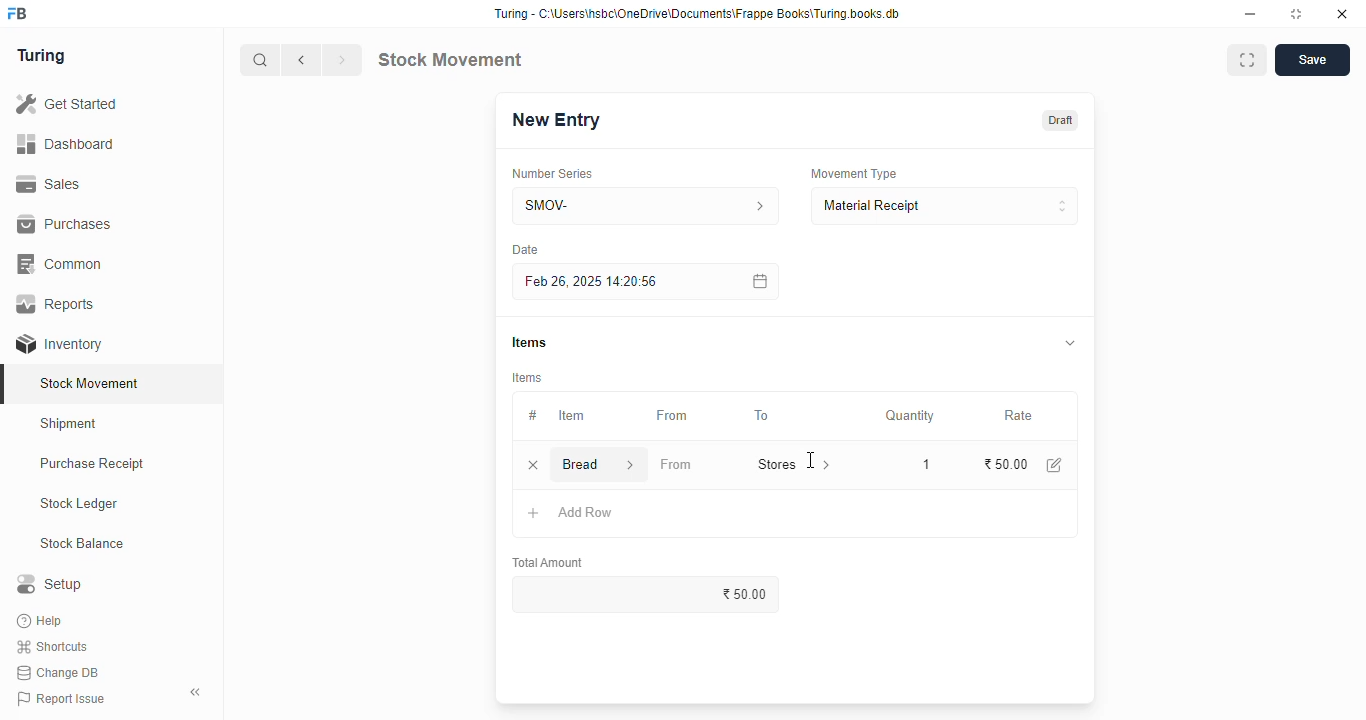  What do you see at coordinates (449, 59) in the screenshot?
I see `stock movement` at bounding box center [449, 59].